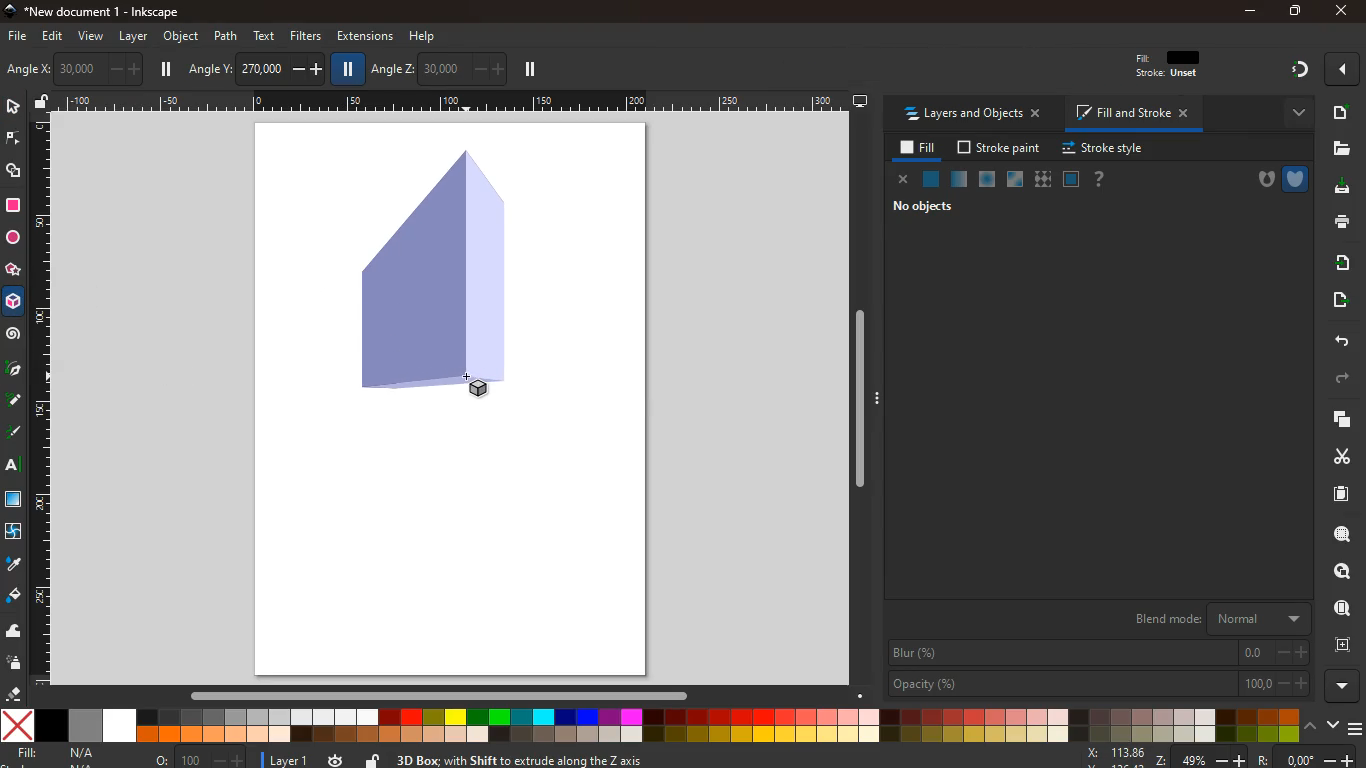 The width and height of the screenshot is (1366, 768). I want to click on object, so click(181, 36).